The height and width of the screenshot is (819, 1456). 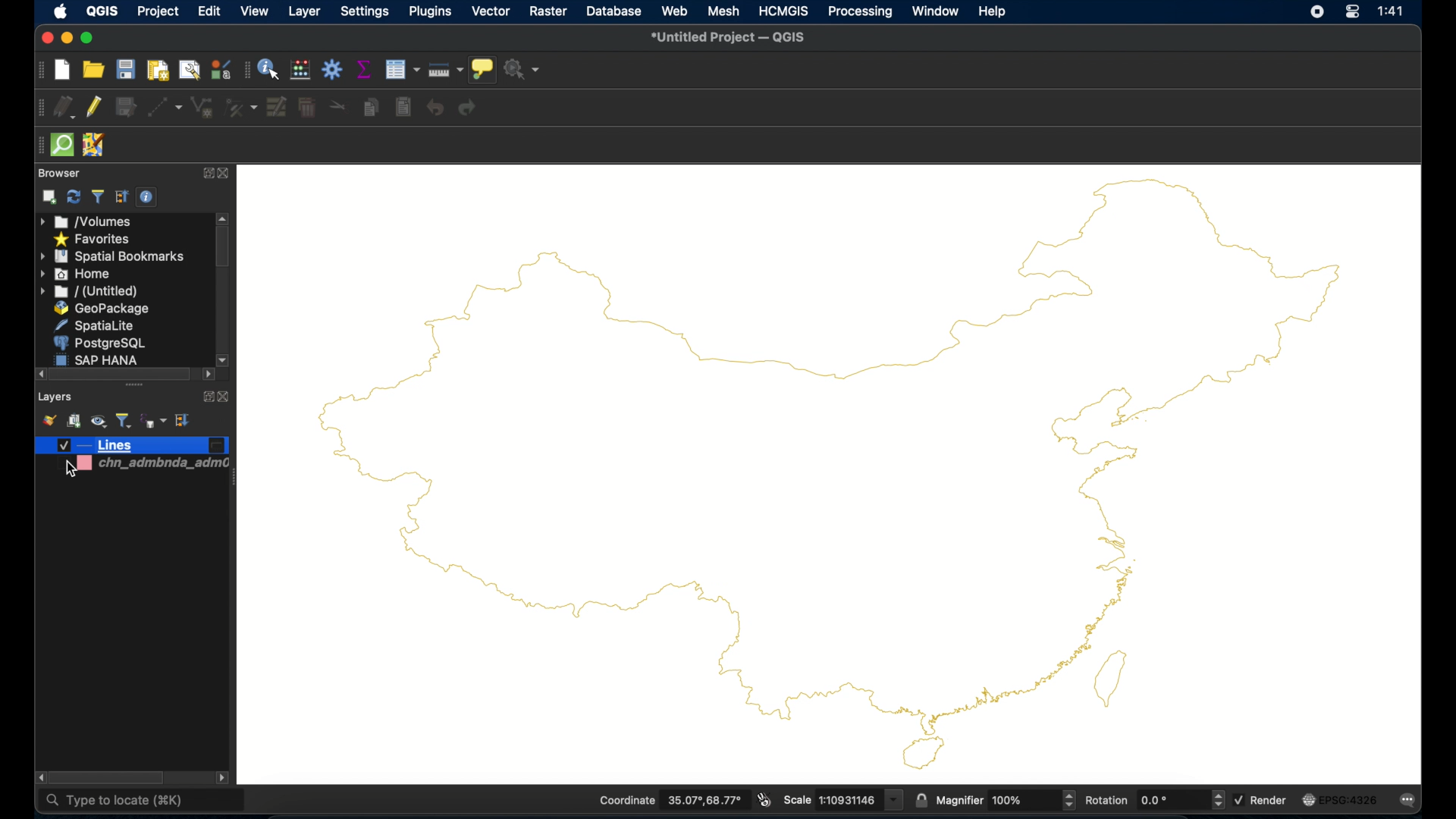 What do you see at coordinates (468, 108) in the screenshot?
I see `redo` at bounding box center [468, 108].